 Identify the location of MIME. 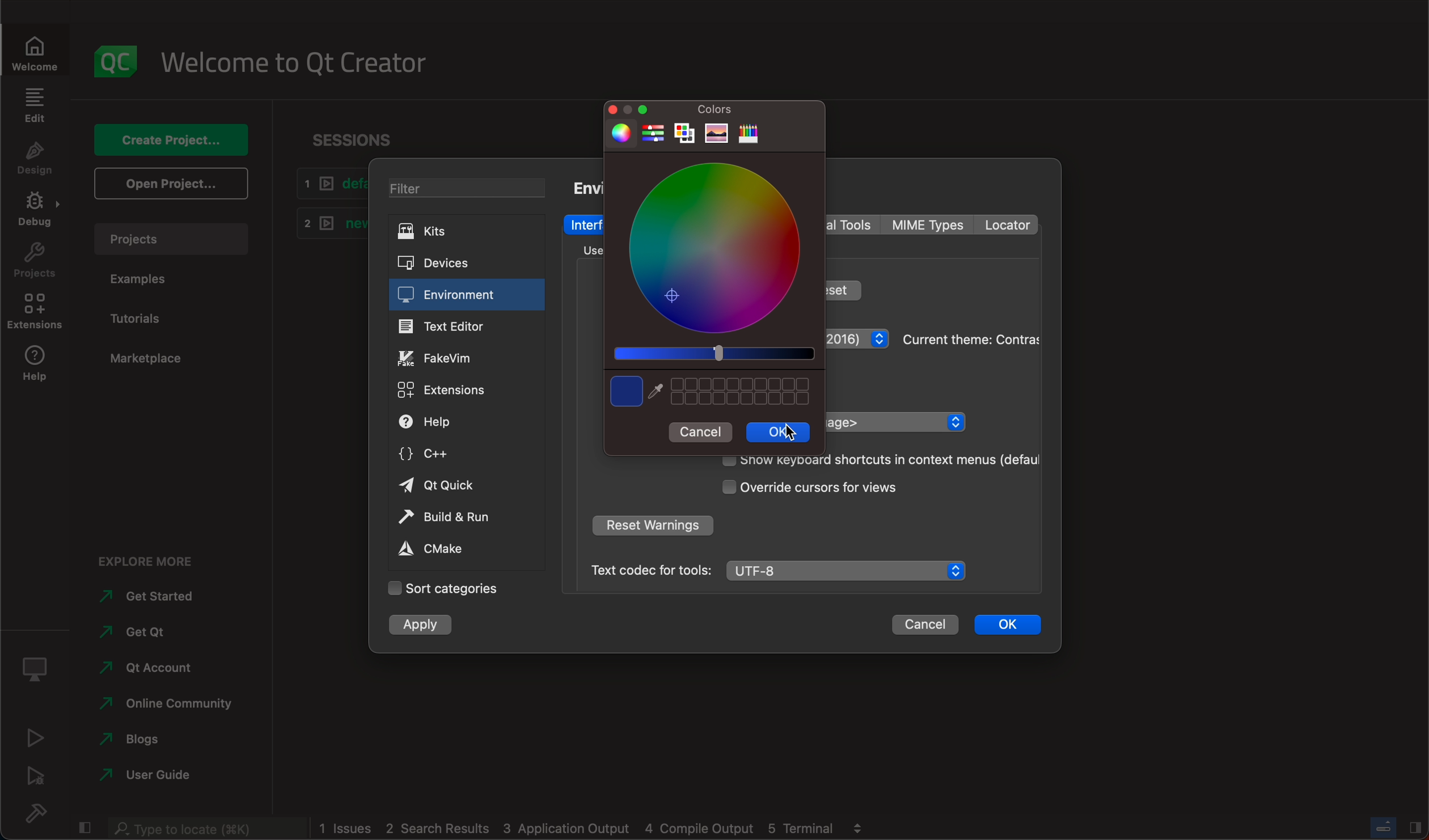
(929, 225).